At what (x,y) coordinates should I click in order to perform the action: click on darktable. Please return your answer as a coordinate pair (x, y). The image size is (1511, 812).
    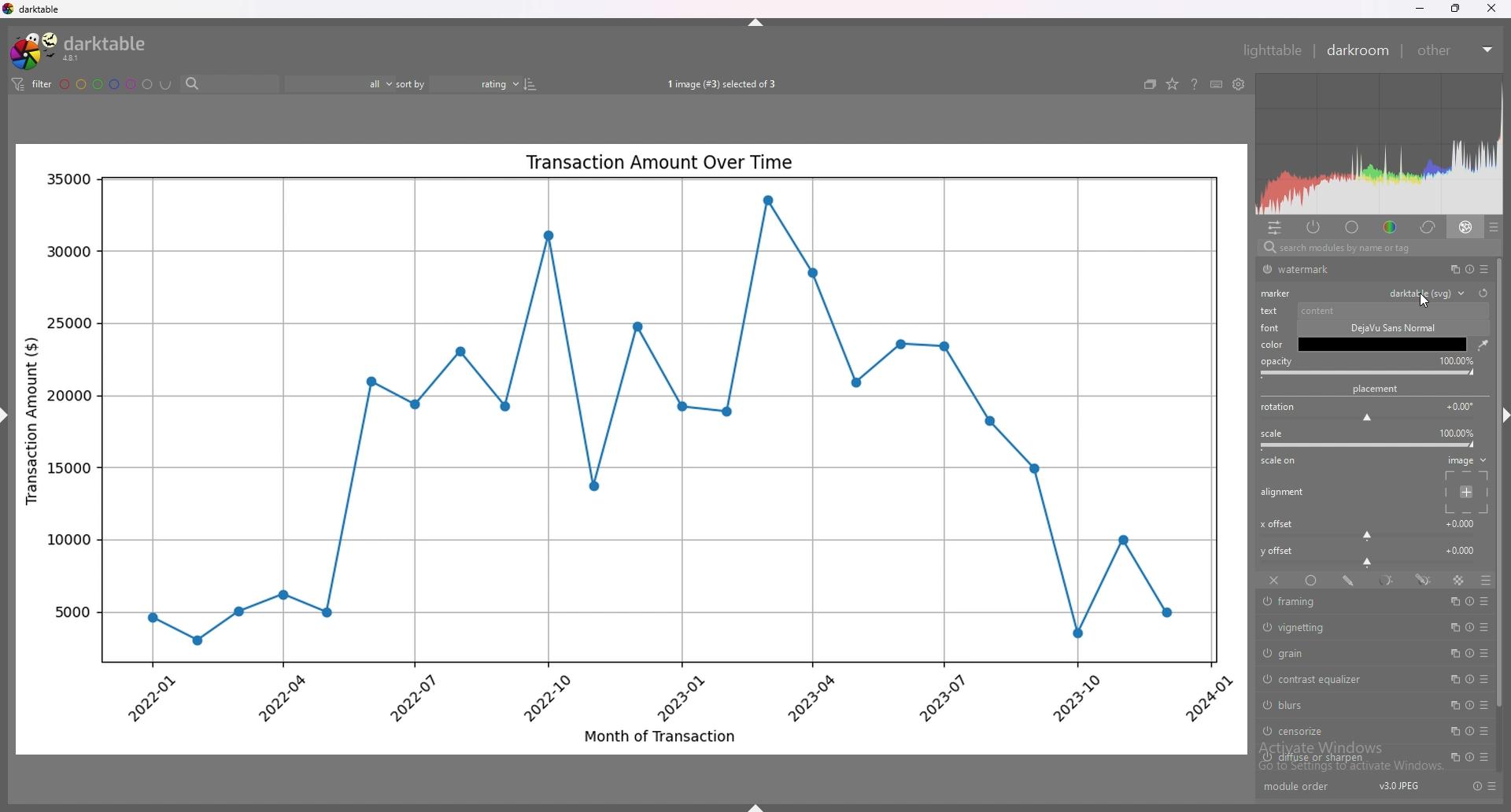
    Looking at the image, I should click on (34, 9).